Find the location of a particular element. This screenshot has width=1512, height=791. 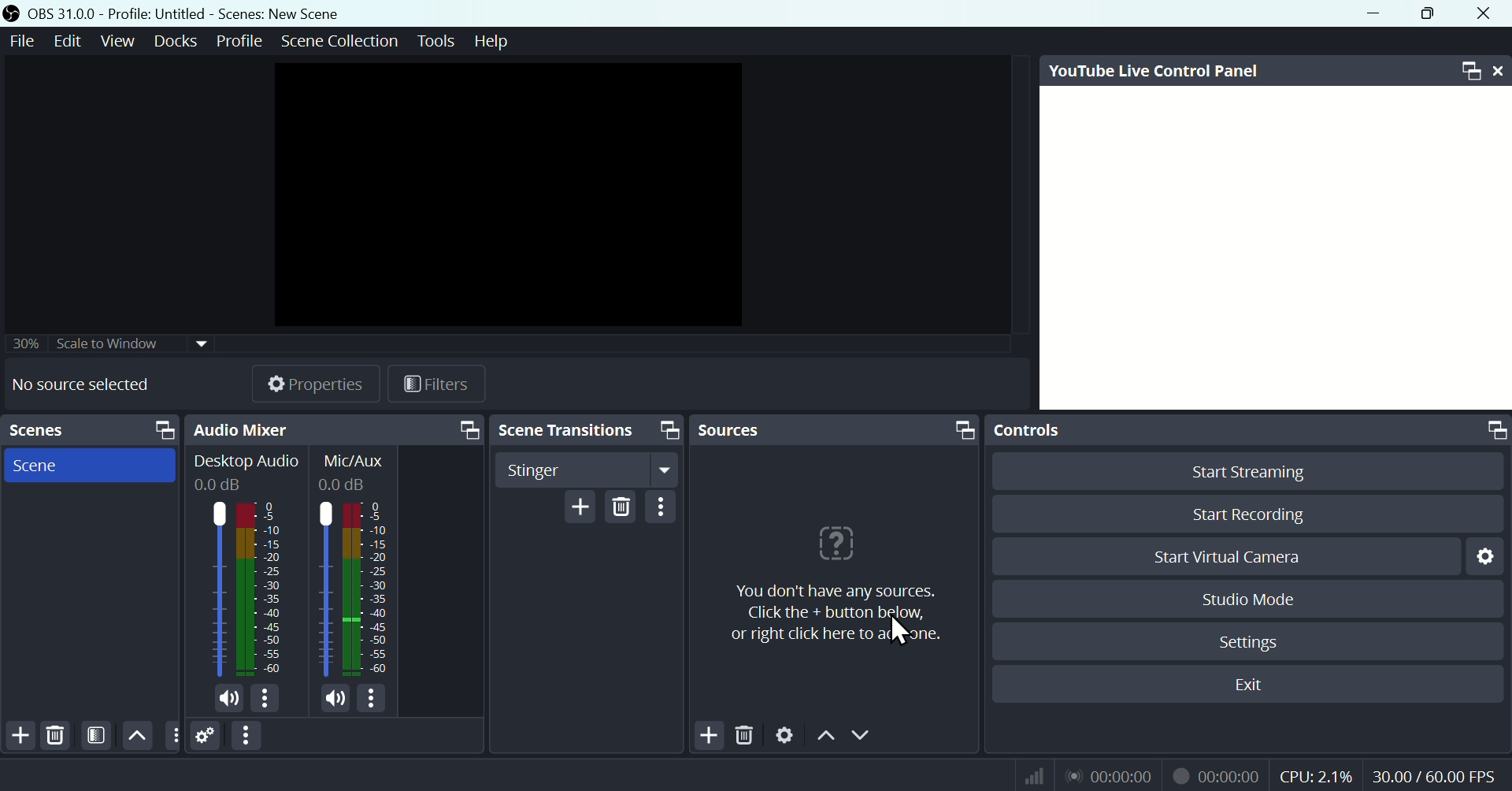

Filters is located at coordinates (435, 383).